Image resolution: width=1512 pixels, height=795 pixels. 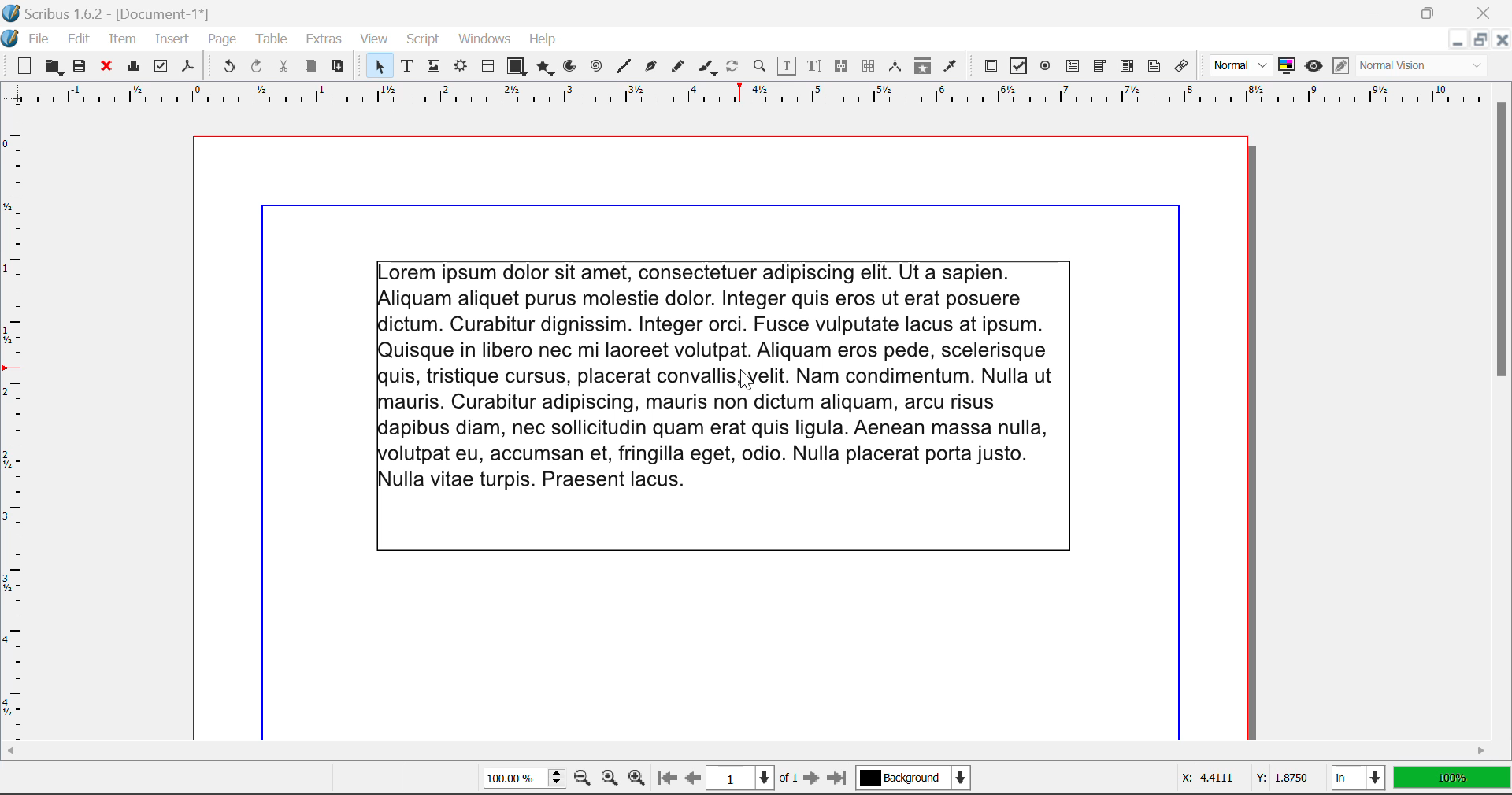 What do you see at coordinates (487, 68) in the screenshot?
I see `Tables` at bounding box center [487, 68].